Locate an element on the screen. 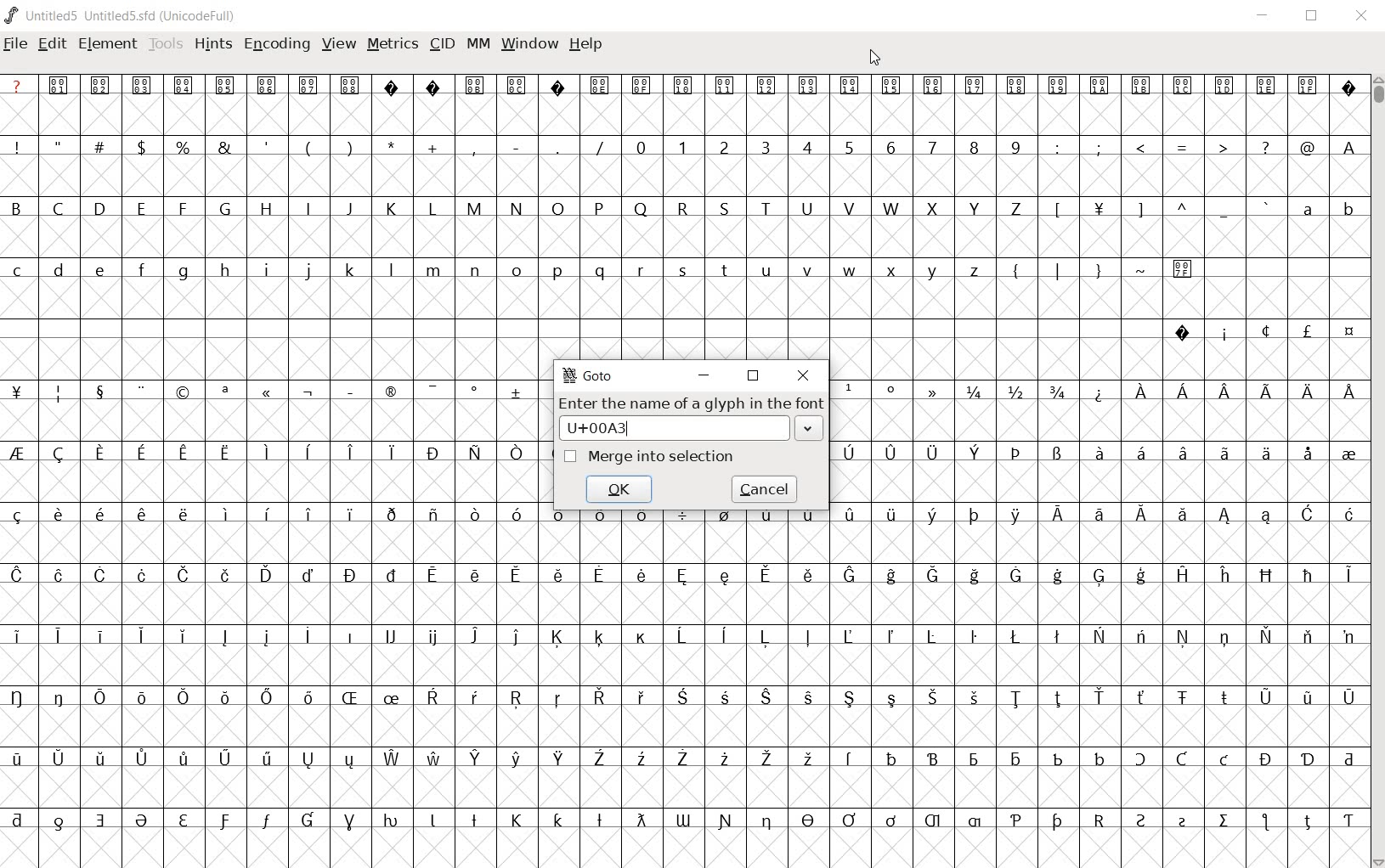 Image resolution: width=1385 pixels, height=868 pixels. Symbol is located at coordinates (889, 578).